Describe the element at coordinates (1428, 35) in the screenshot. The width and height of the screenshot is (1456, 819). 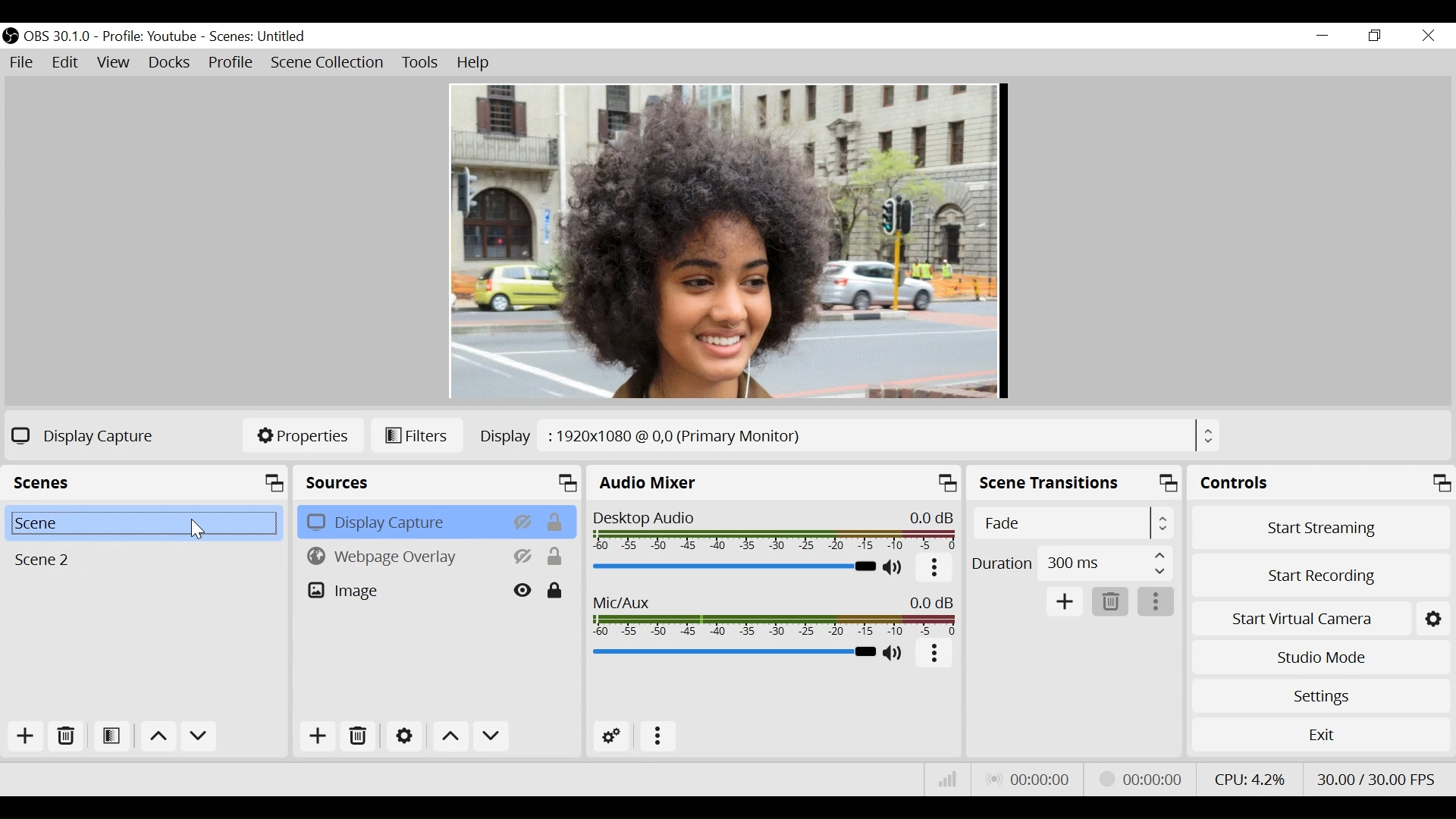
I see `Close` at that location.